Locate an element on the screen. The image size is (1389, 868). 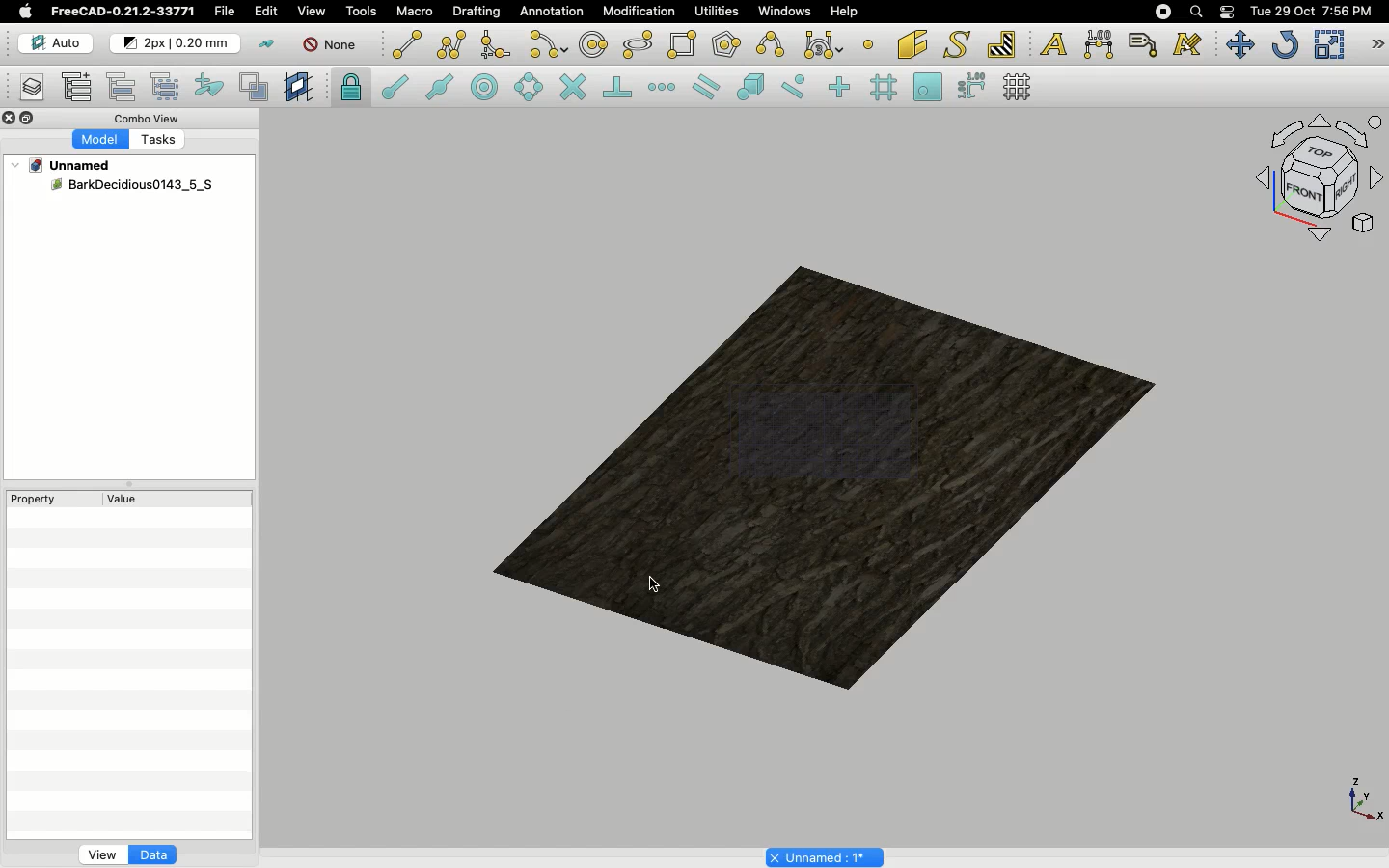
Snap angle is located at coordinates (530, 89).